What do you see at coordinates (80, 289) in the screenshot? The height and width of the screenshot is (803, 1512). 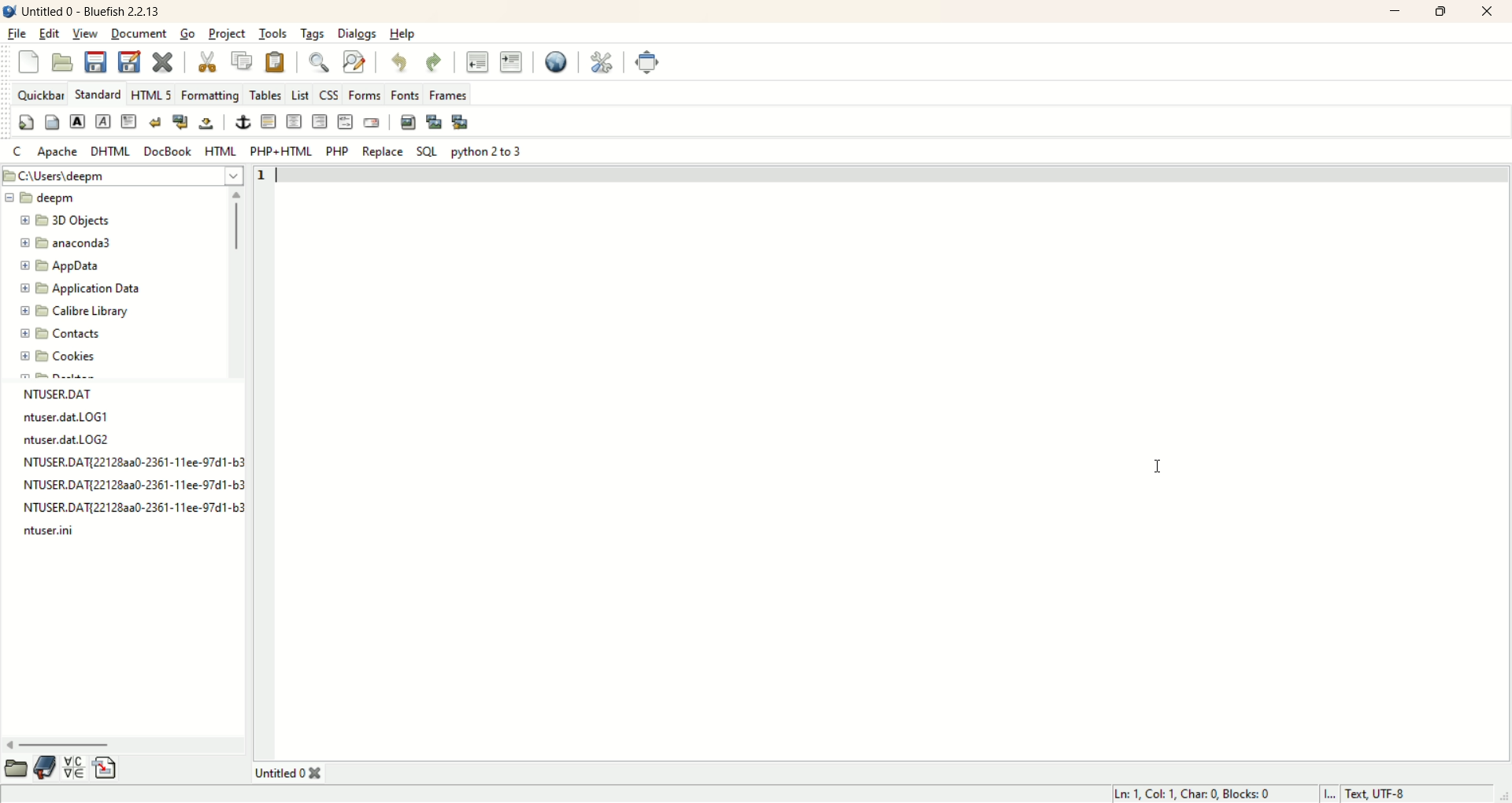 I see `application data` at bounding box center [80, 289].